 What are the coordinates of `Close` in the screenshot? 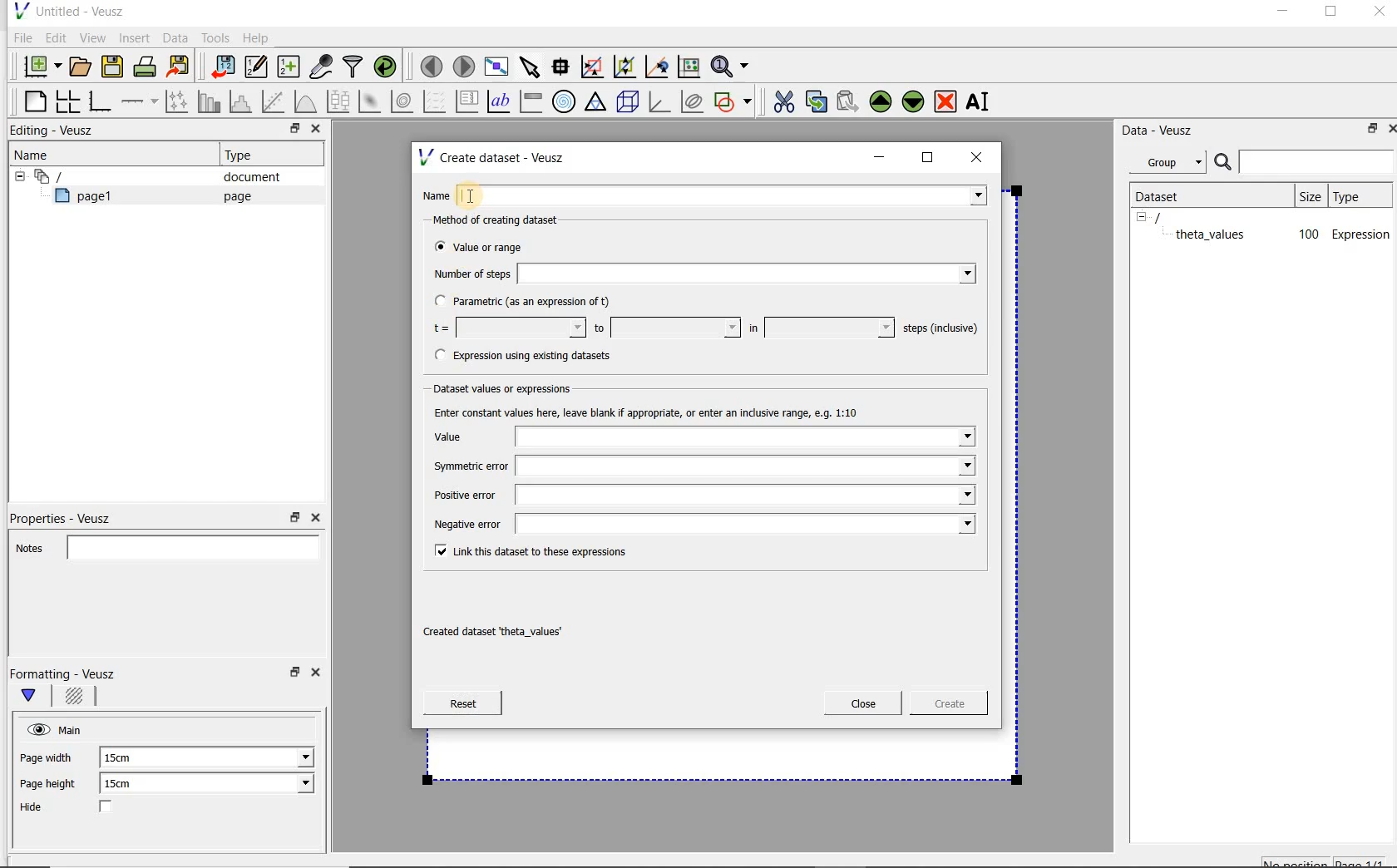 It's located at (1378, 14).